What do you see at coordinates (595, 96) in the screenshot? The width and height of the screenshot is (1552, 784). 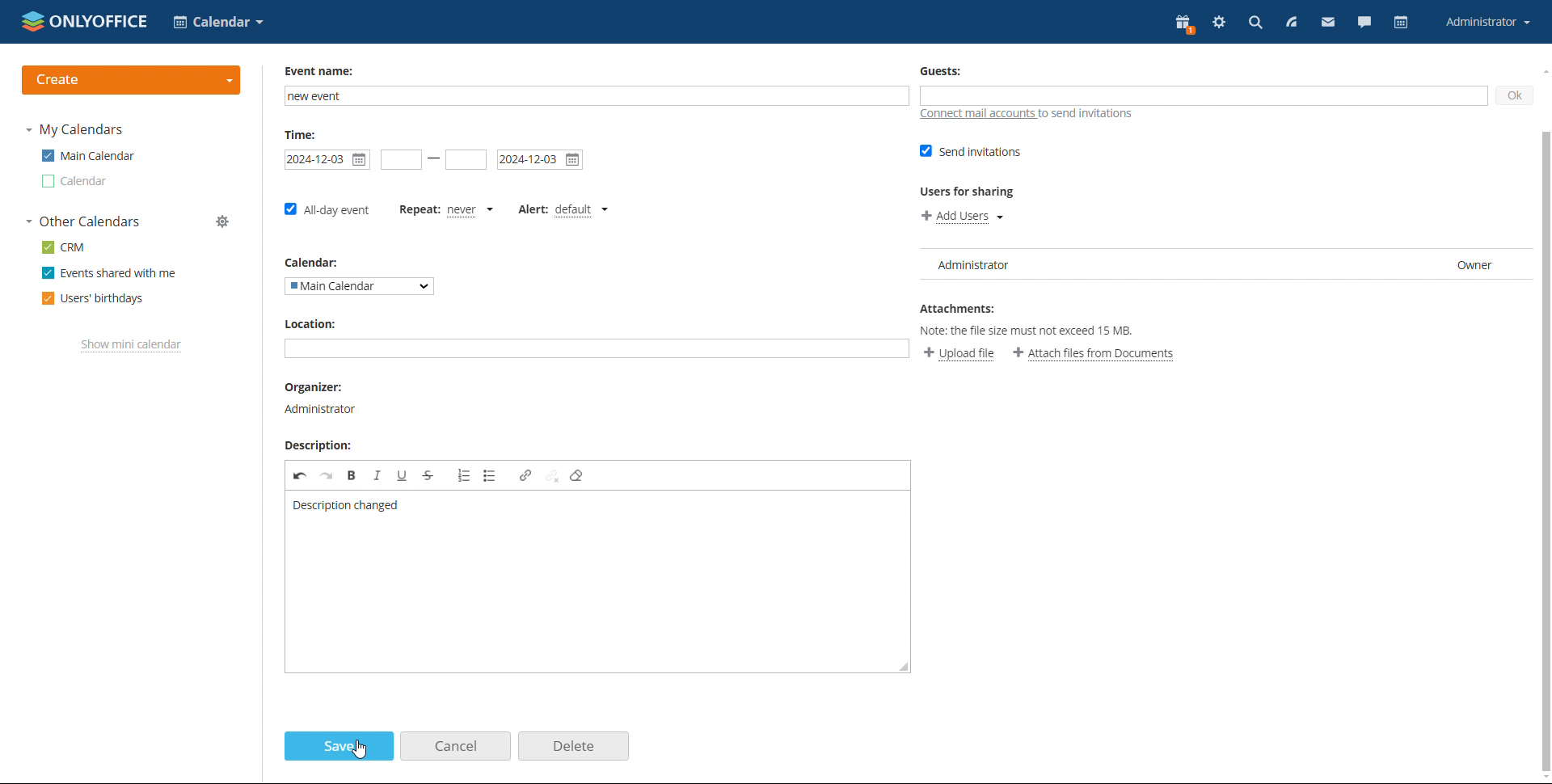 I see `add event name` at bounding box center [595, 96].